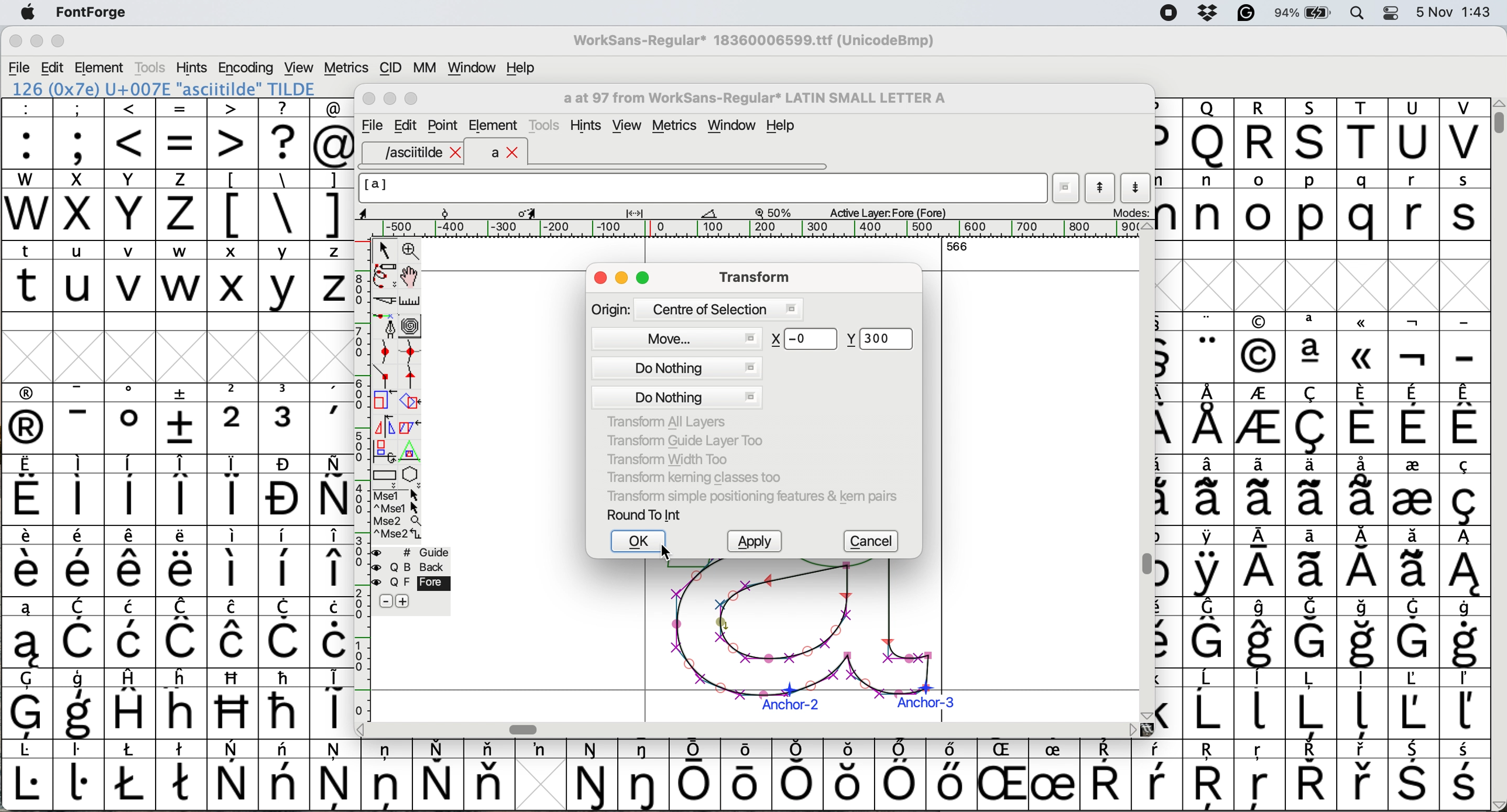 The width and height of the screenshot is (1507, 812). I want to click on Help, so click(780, 127).